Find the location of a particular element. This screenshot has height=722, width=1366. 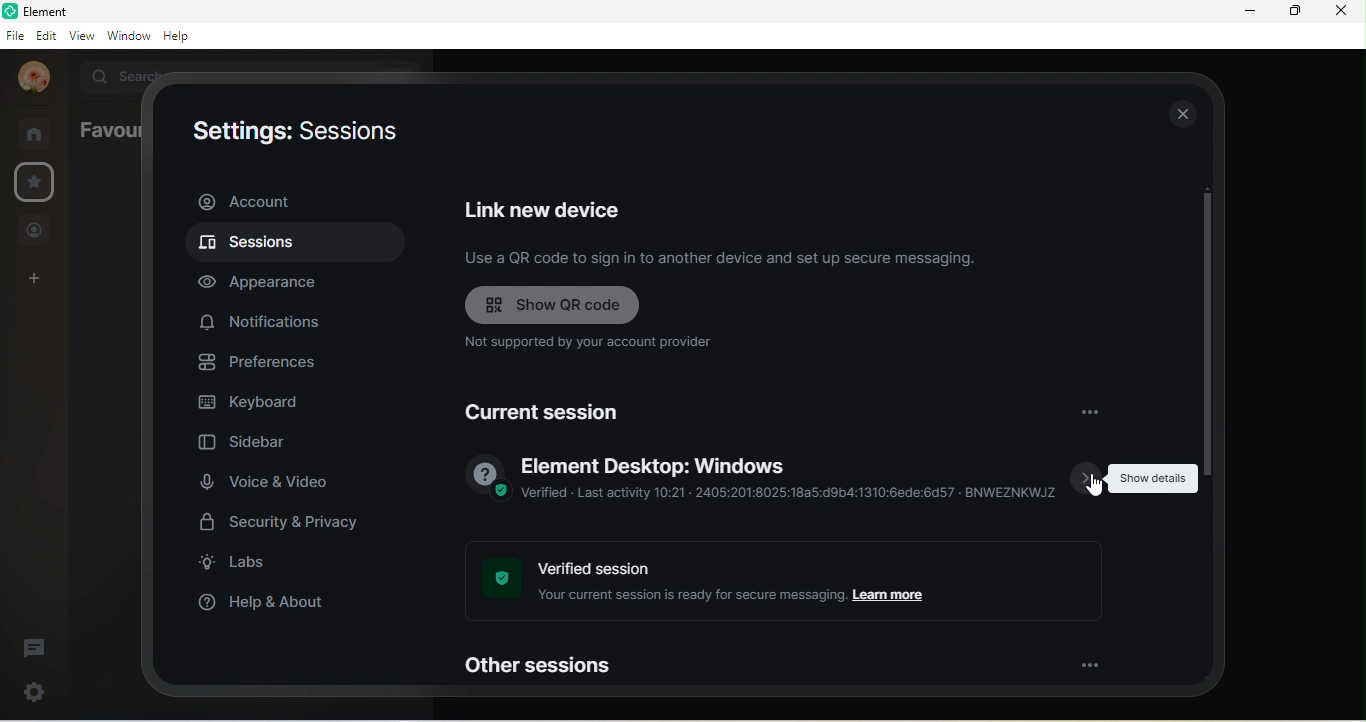

file is located at coordinates (14, 37).